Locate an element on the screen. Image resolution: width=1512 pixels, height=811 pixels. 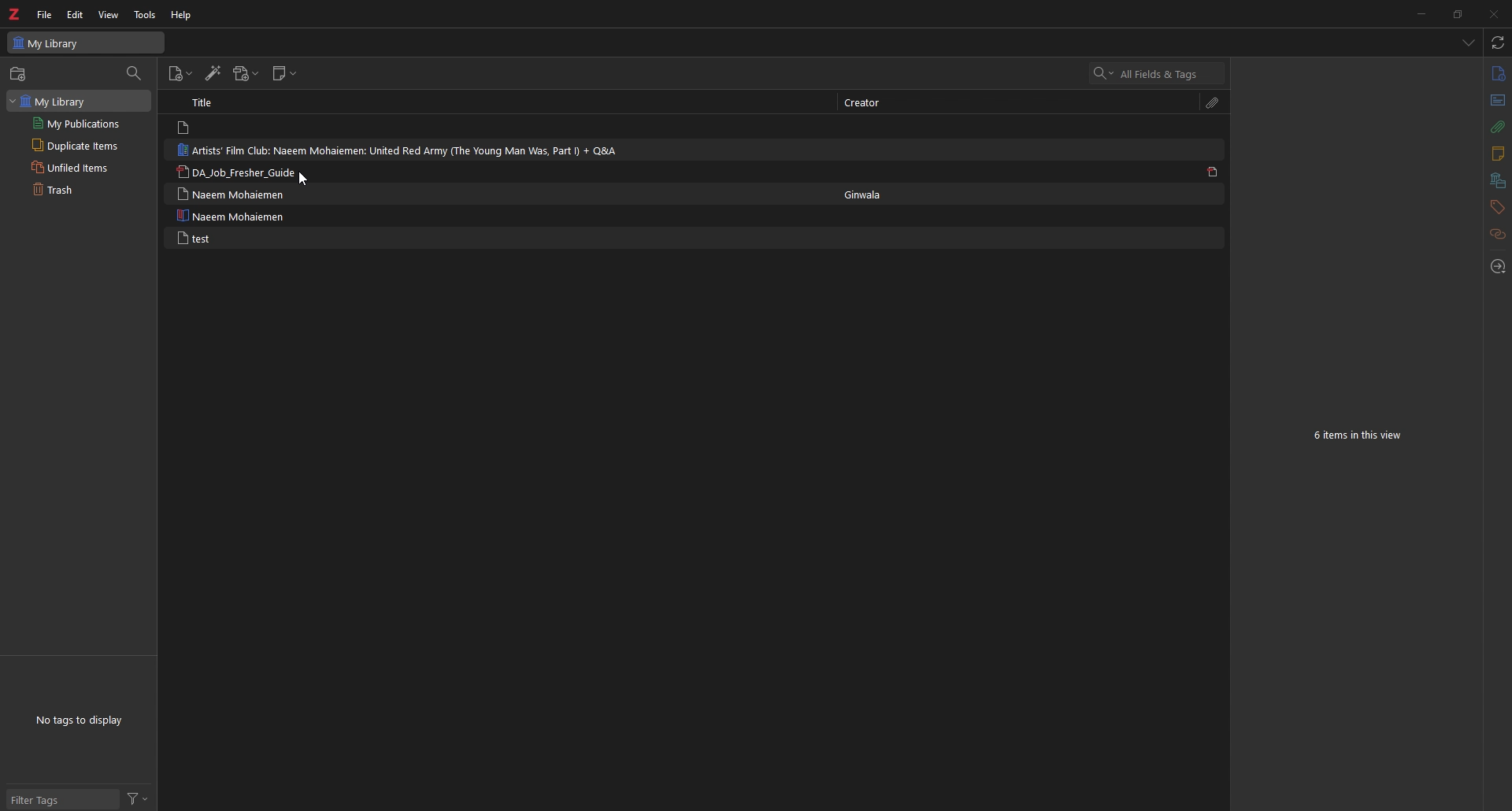
filter tags is located at coordinates (62, 798).